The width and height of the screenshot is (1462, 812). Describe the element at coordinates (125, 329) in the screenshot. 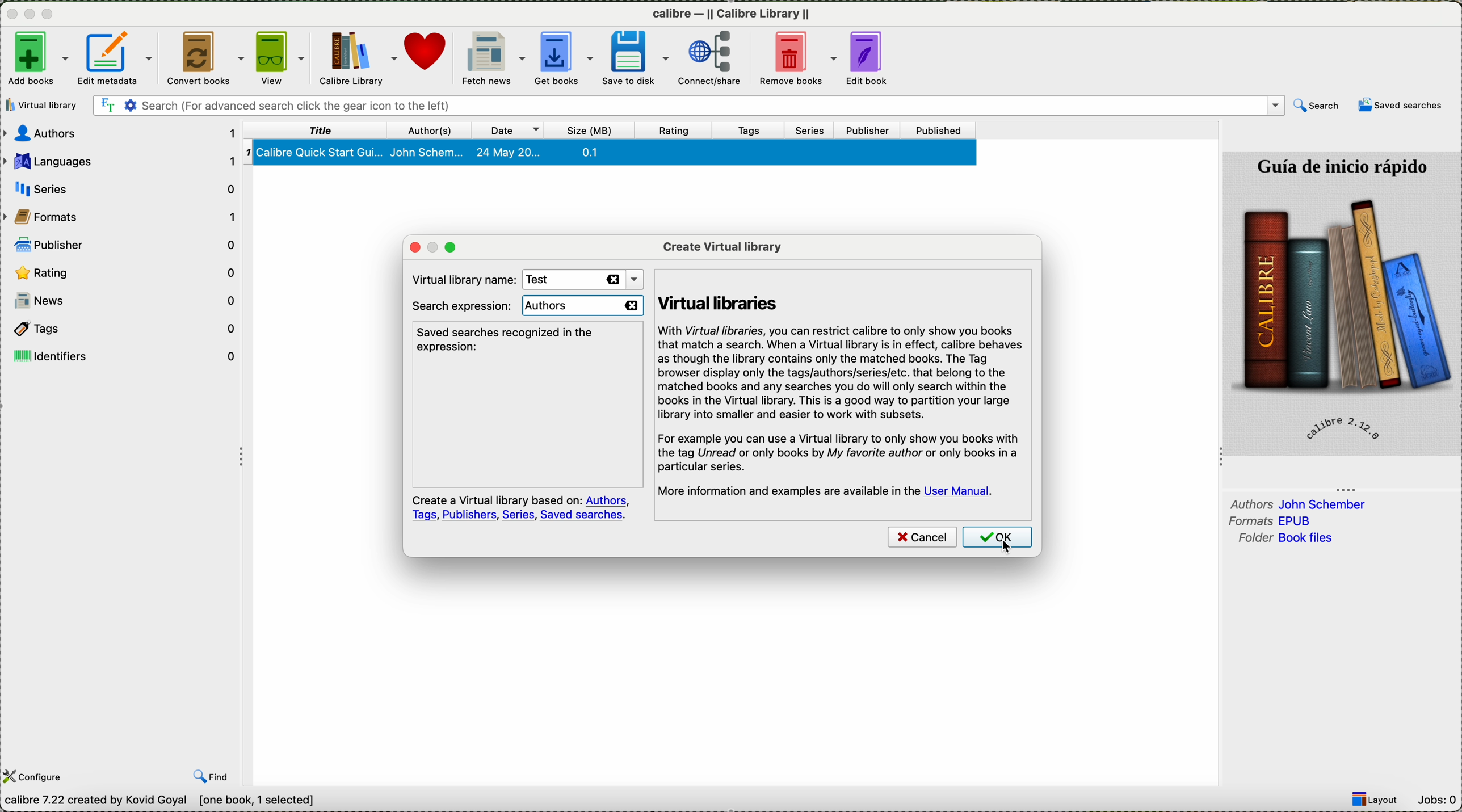

I see `tags` at that location.